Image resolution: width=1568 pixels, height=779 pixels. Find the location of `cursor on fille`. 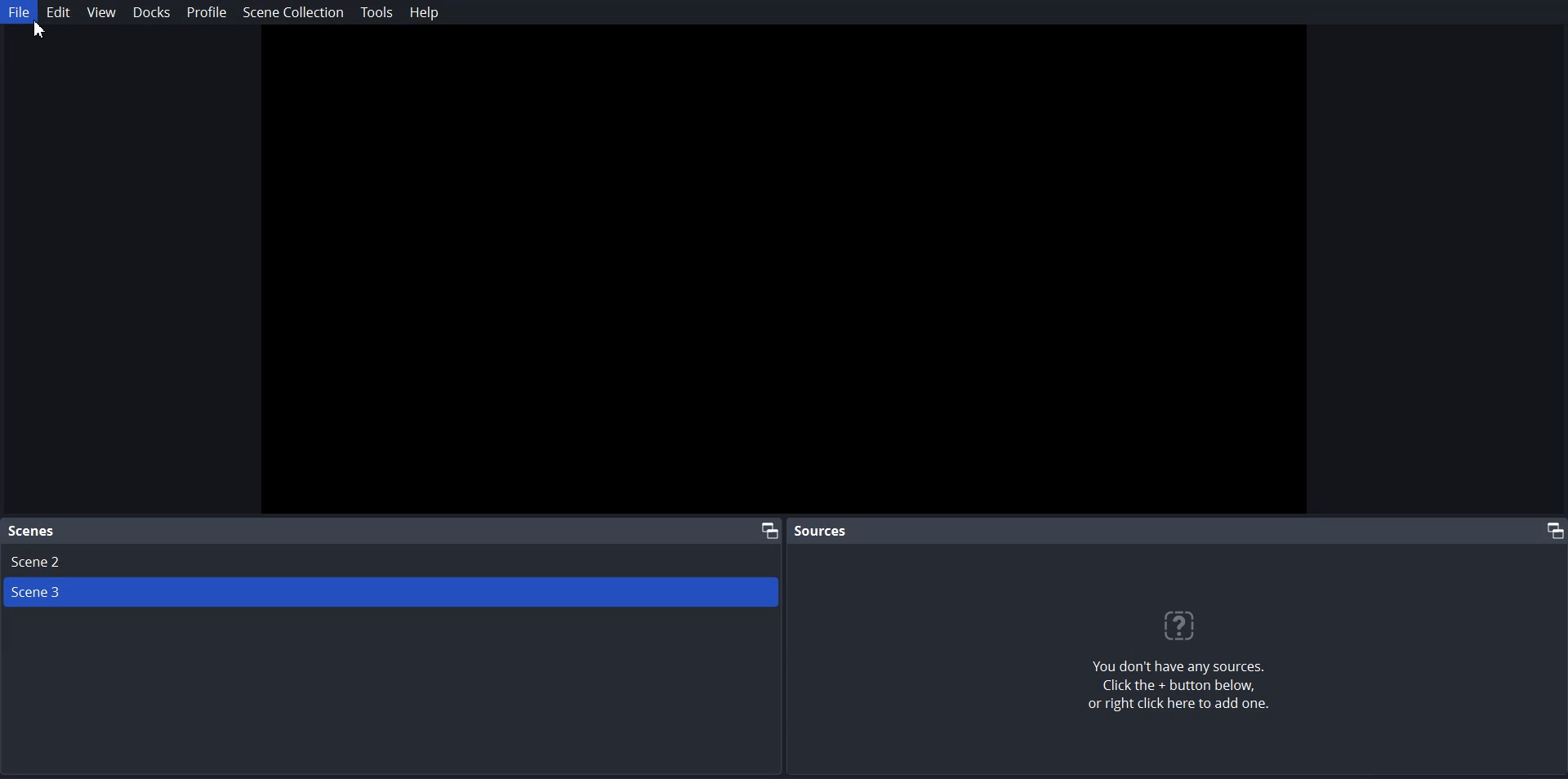

cursor on fille is located at coordinates (47, 33).